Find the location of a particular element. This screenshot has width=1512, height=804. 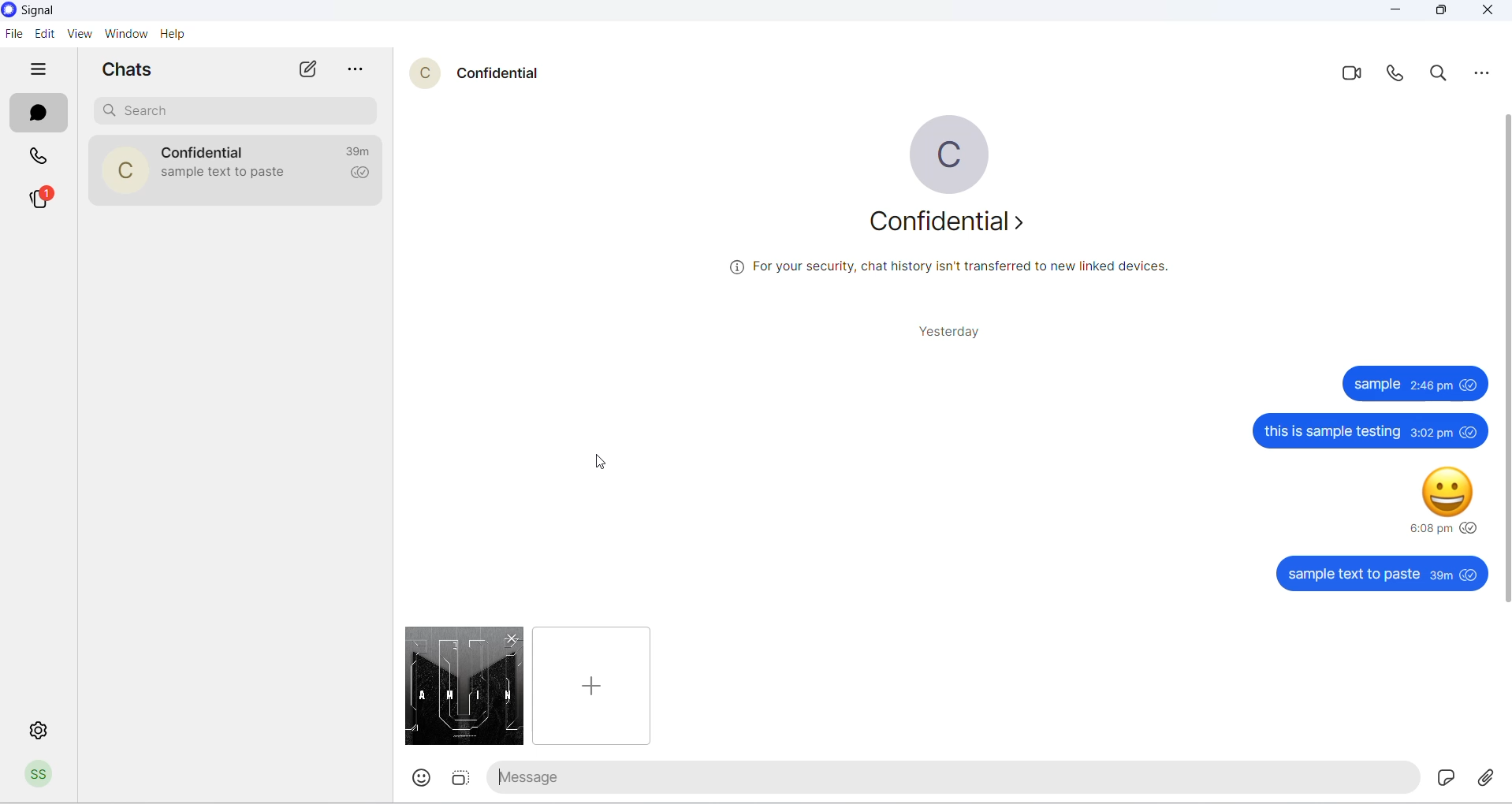

about contact is located at coordinates (950, 225).